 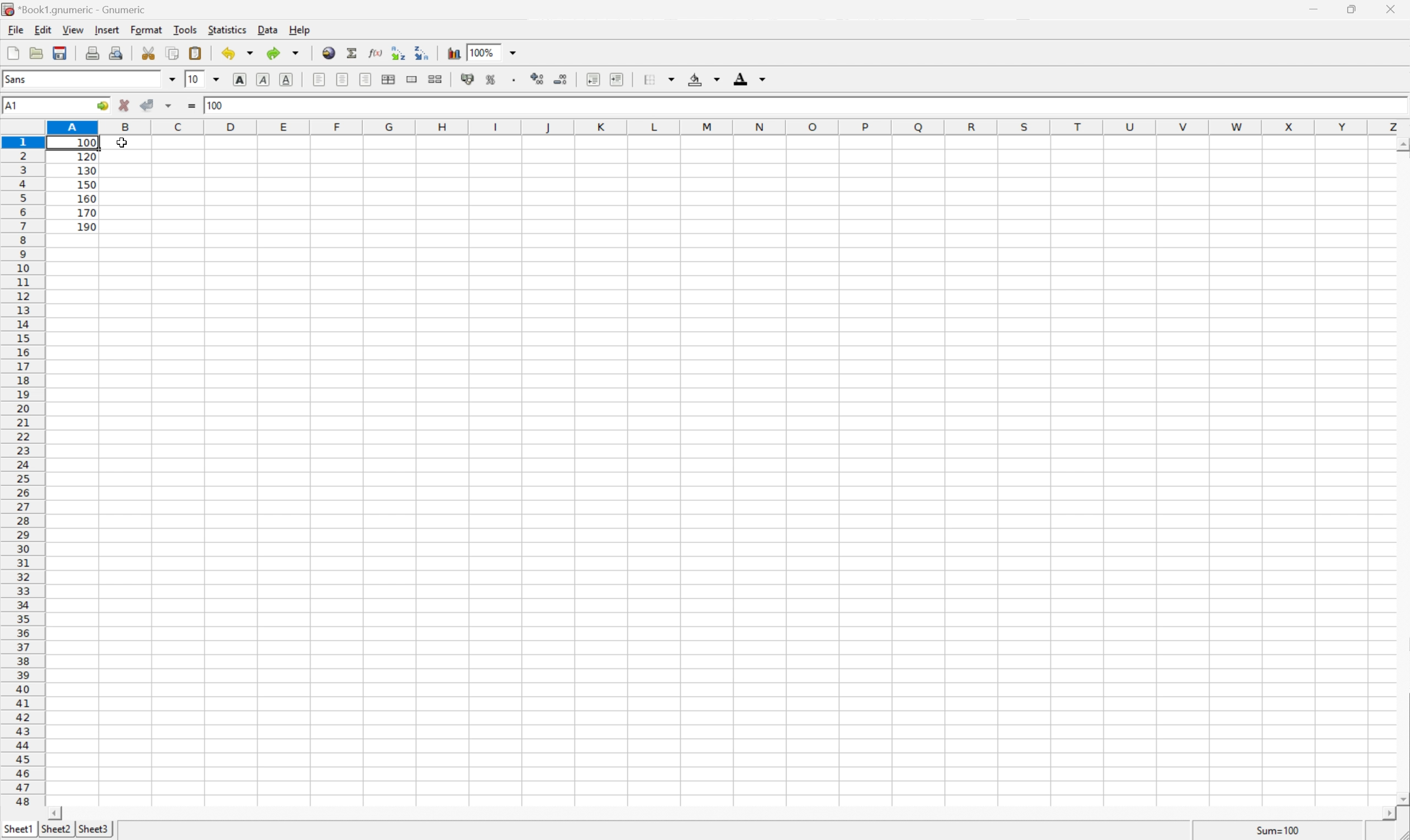 What do you see at coordinates (511, 51) in the screenshot?
I see `Drop Down` at bounding box center [511, 51].